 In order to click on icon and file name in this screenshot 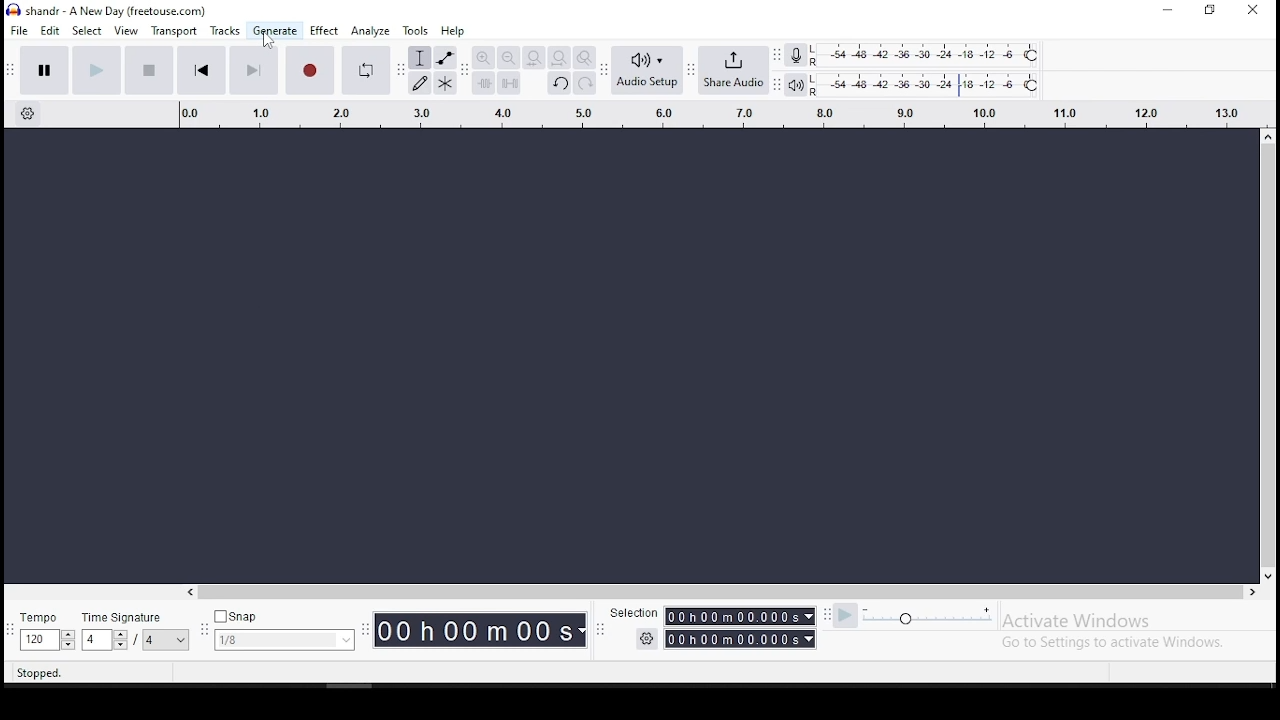, I will do `click(107, 11)`.